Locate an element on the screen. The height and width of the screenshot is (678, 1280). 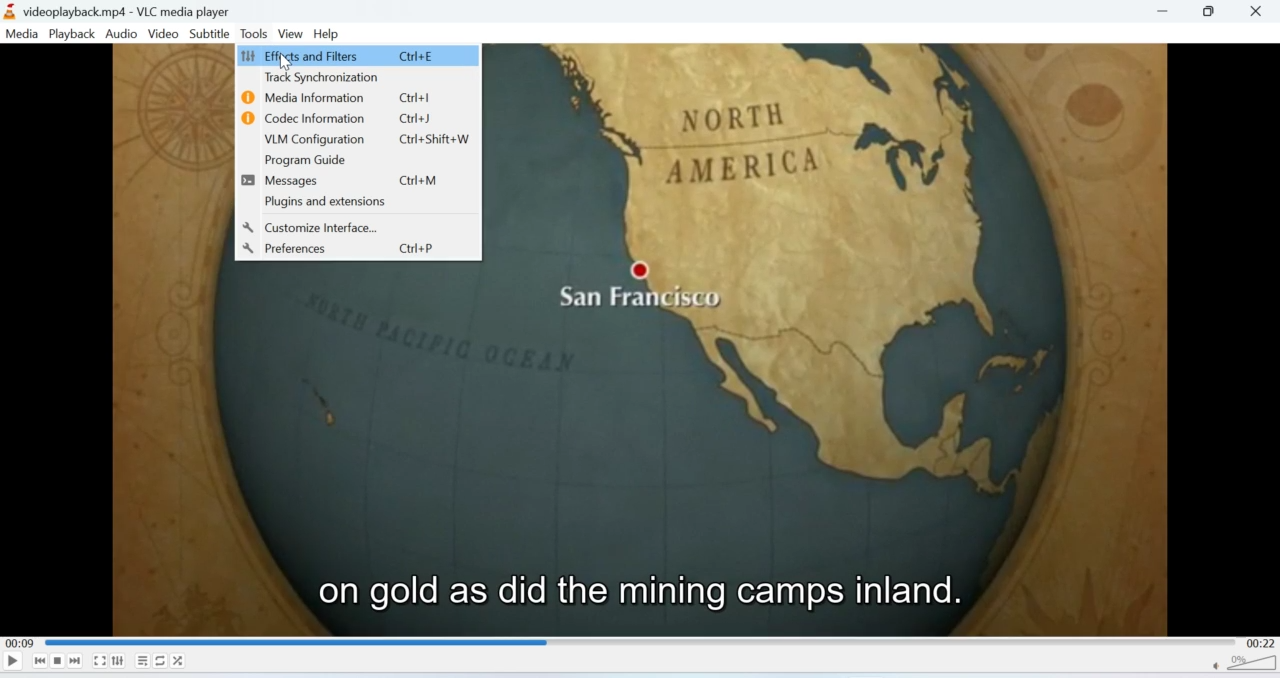
Close is located at coordinates (1257, 12).